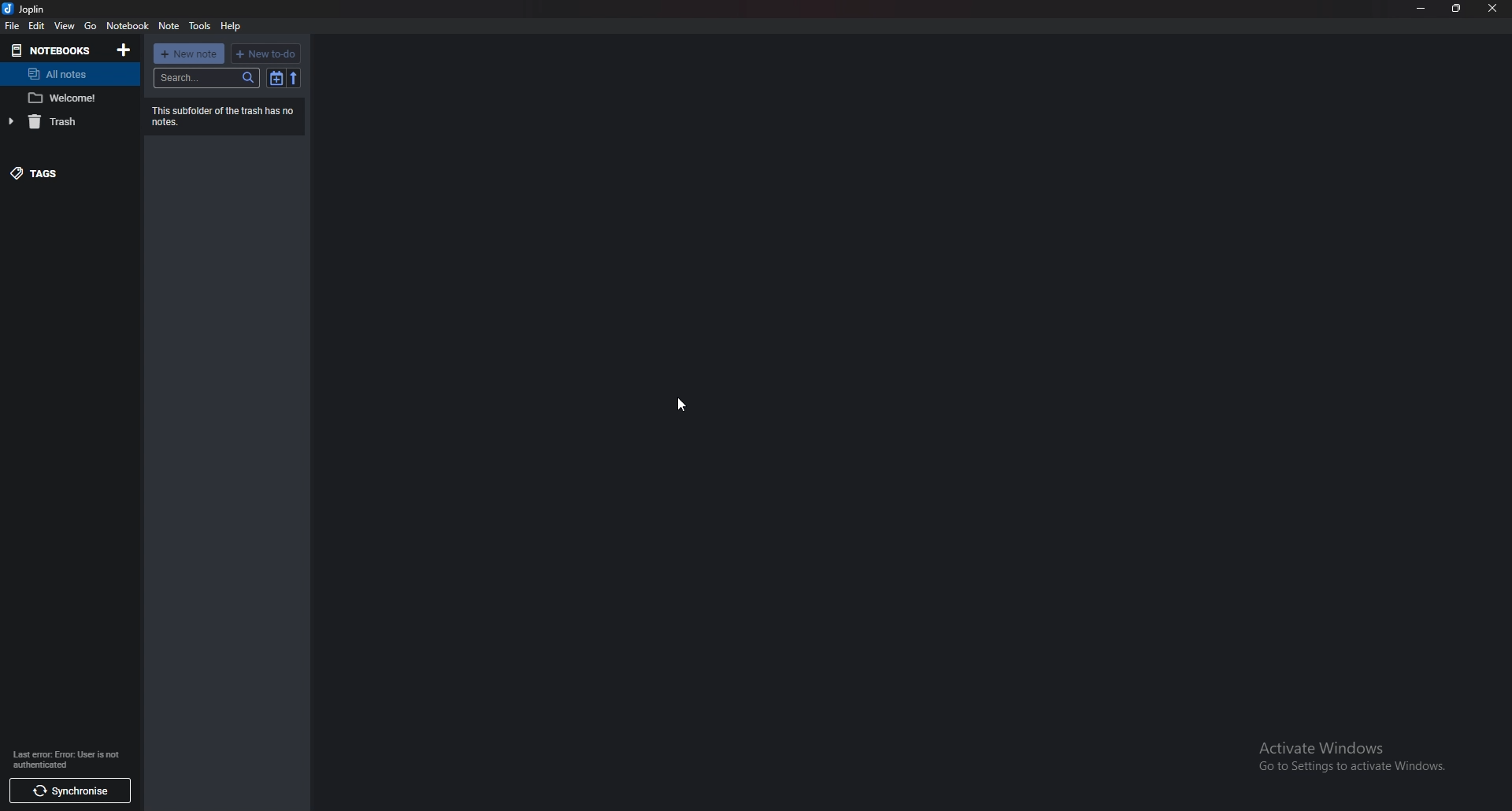 The width and height of the screenshot is (1512, 811). I want to click on info, so click(71, 759).